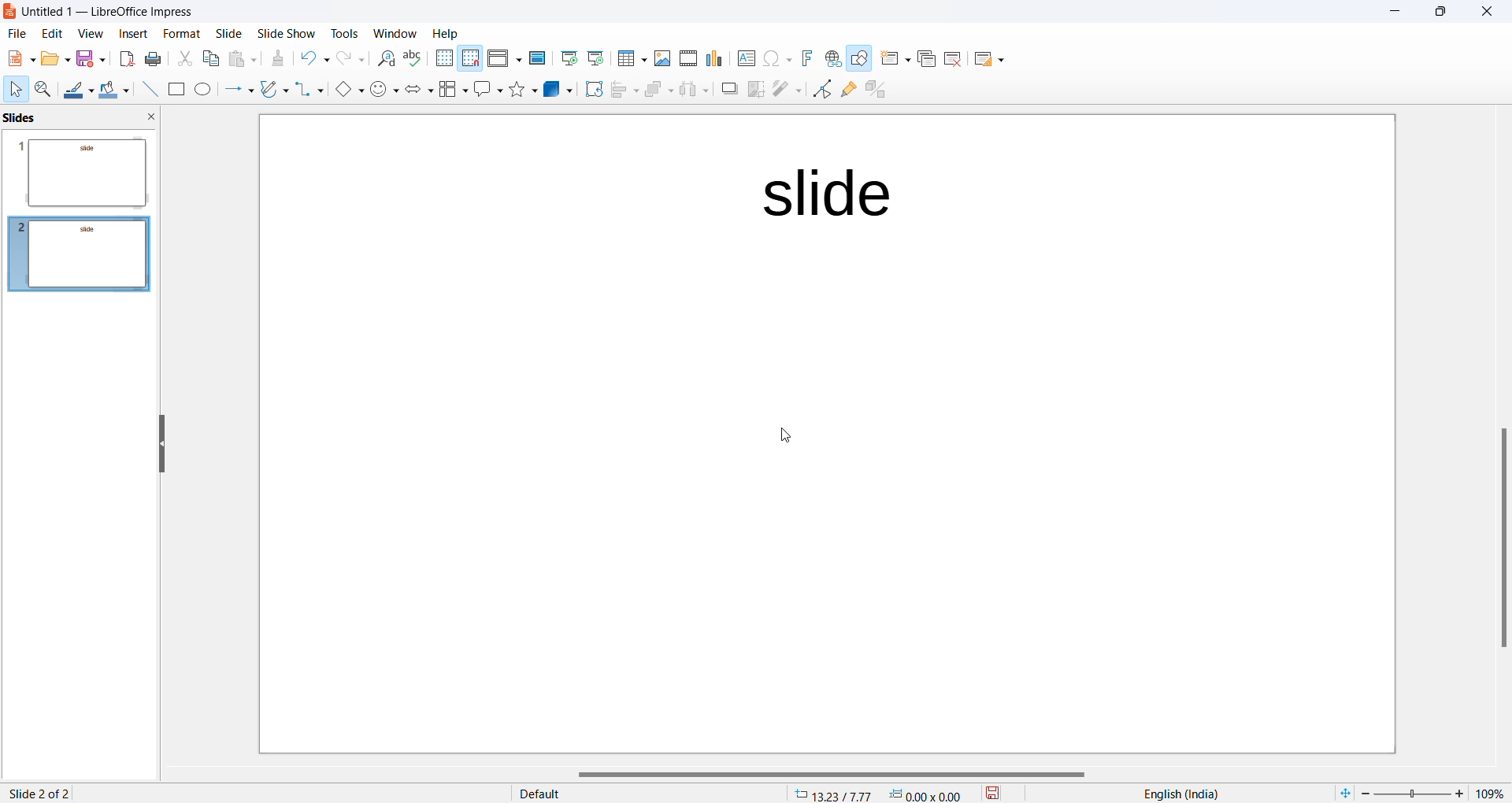 Image resolution: width=1512 pixels, height=803 pixels. Describe the element at coordinates (537, 58) in the screenshot. I see `Master slide` at that location.